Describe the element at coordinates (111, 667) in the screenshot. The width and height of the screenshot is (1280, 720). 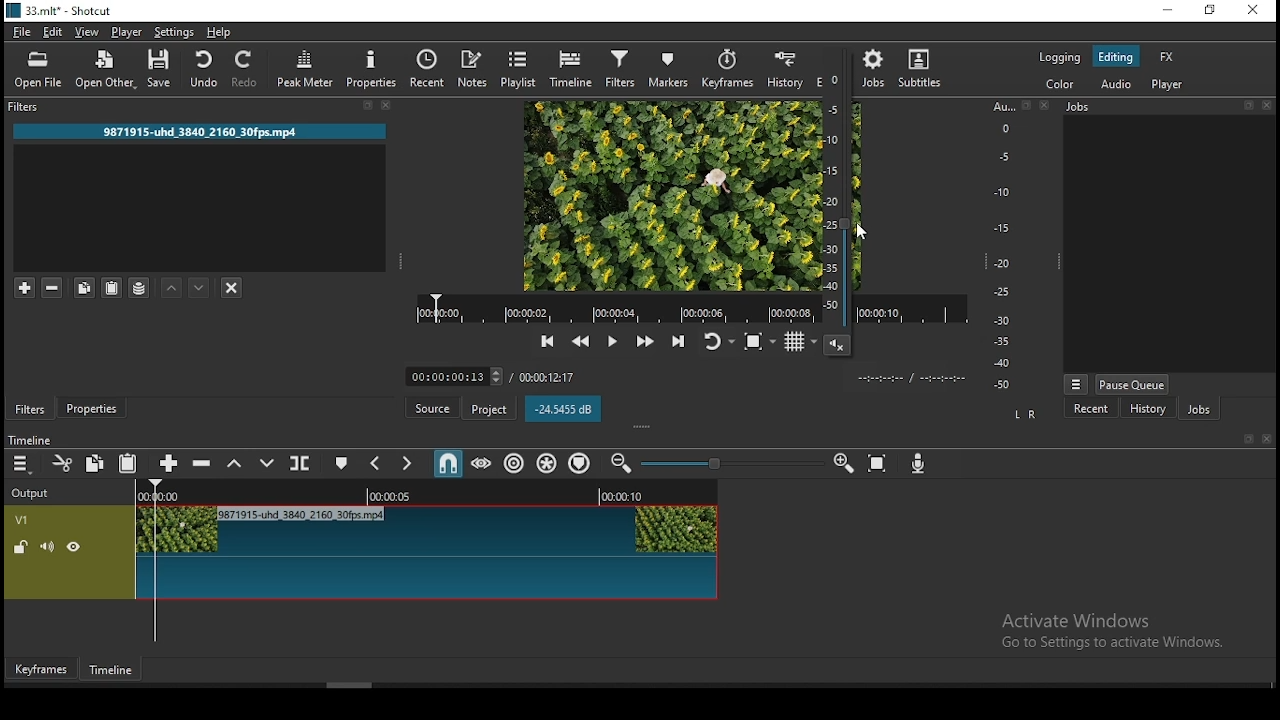
I see `timeline` at that location.